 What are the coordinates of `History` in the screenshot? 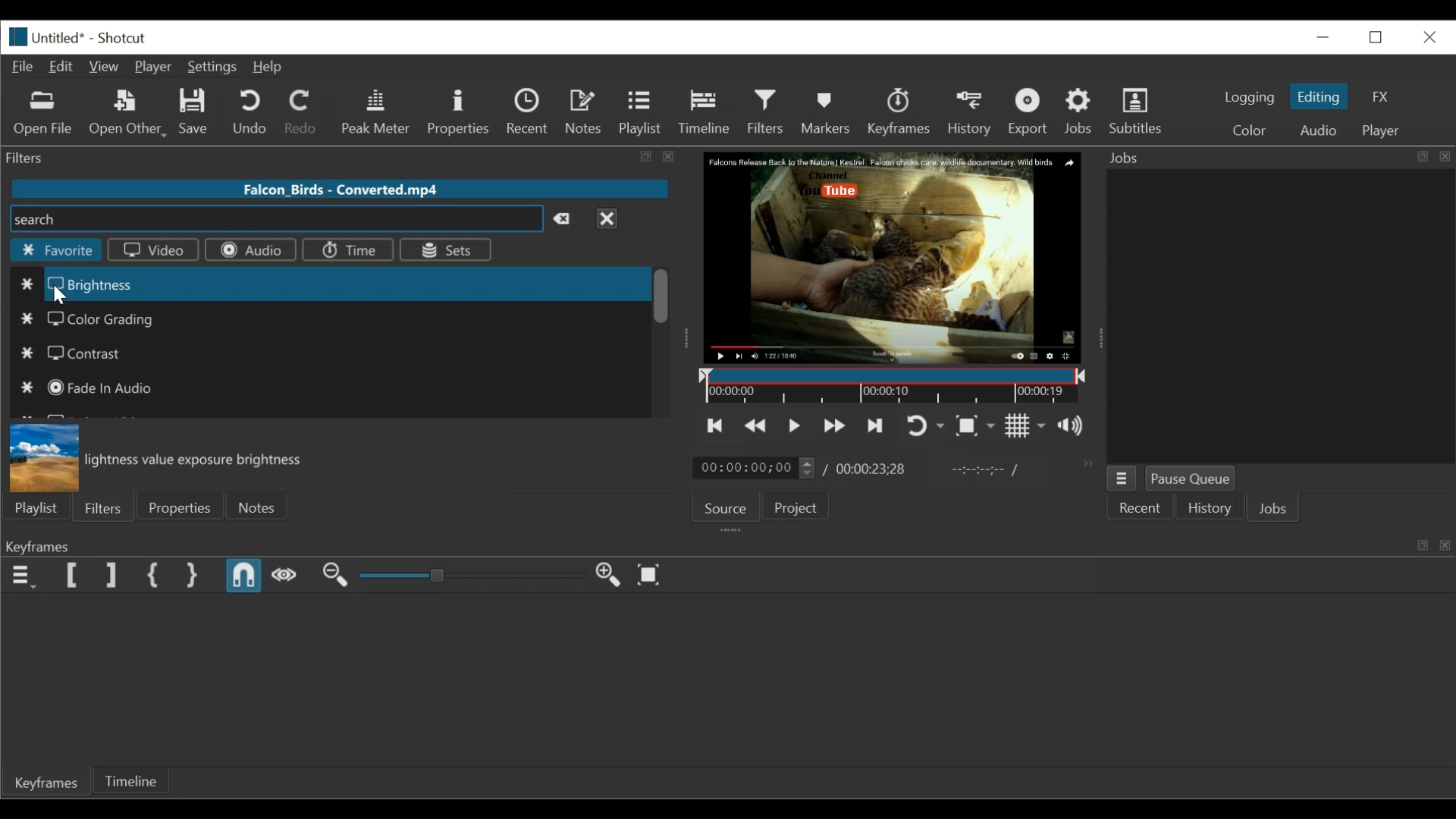 It's located at (970, 112).